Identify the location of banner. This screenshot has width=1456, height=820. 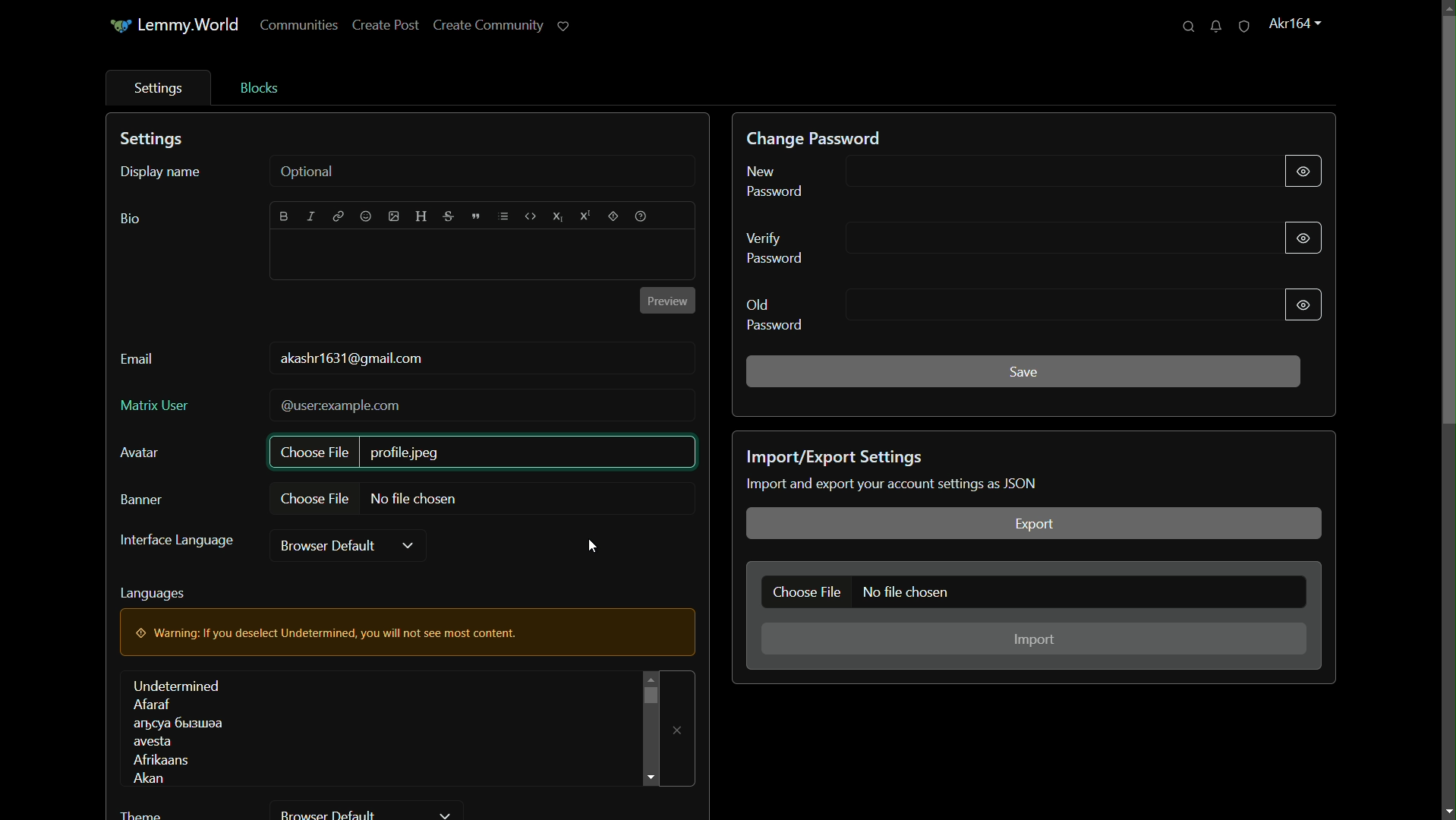
(143, 501).